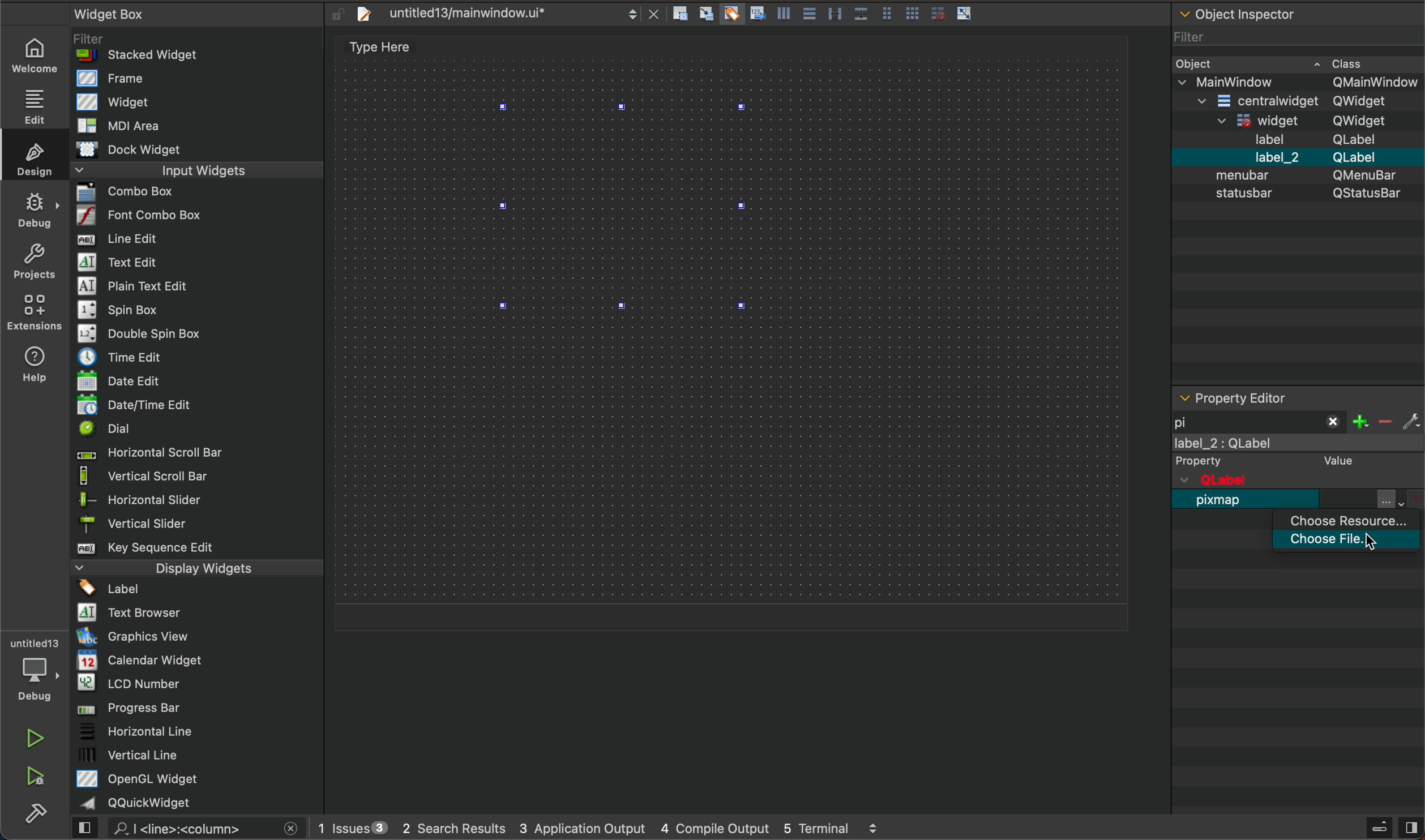  What do you see at coordinates (1380, 828) in the screenshot?
I see `` at bounding box center [1380, 828].